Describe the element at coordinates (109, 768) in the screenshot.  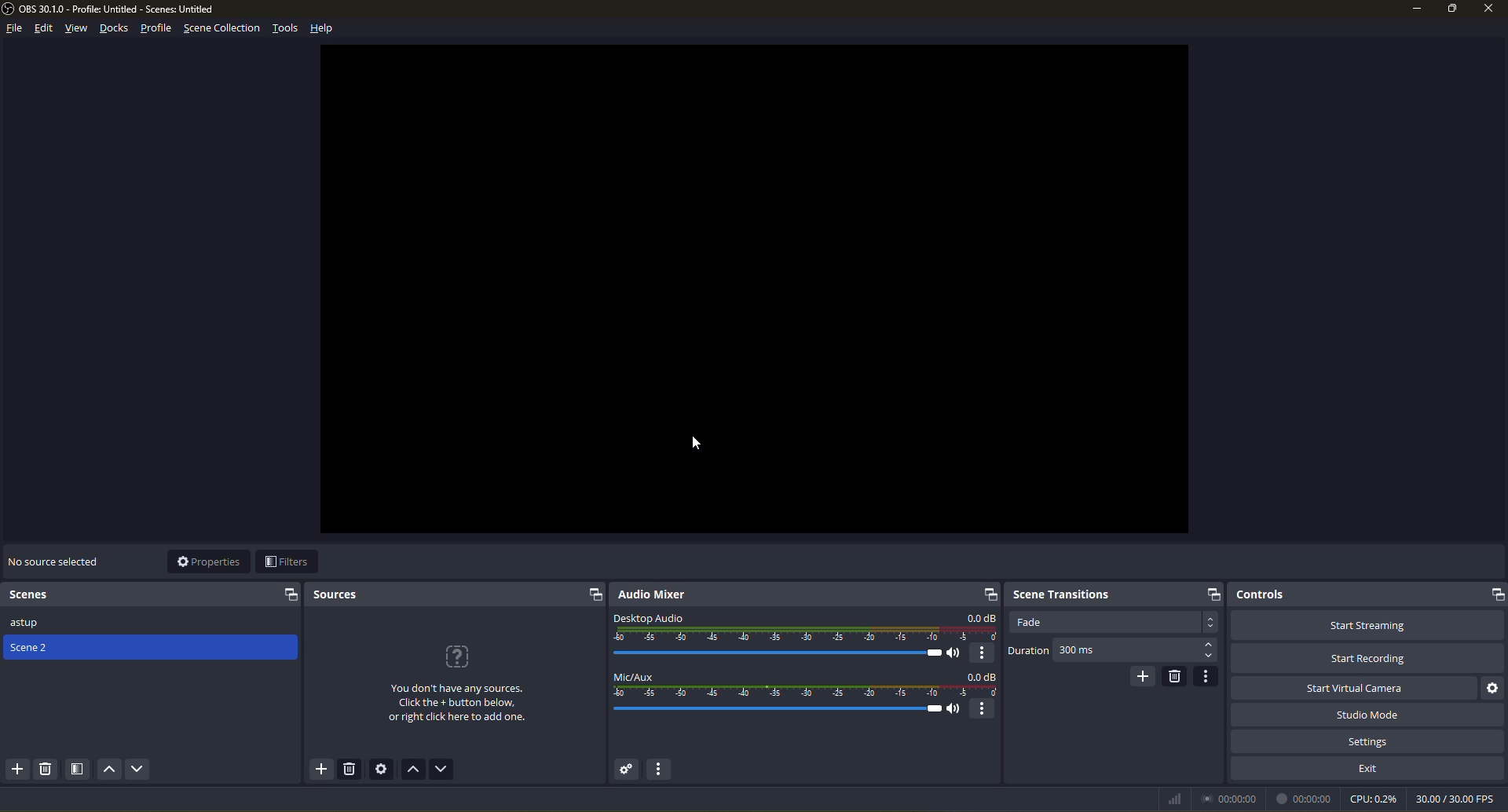
I see `move scene up` at that location.